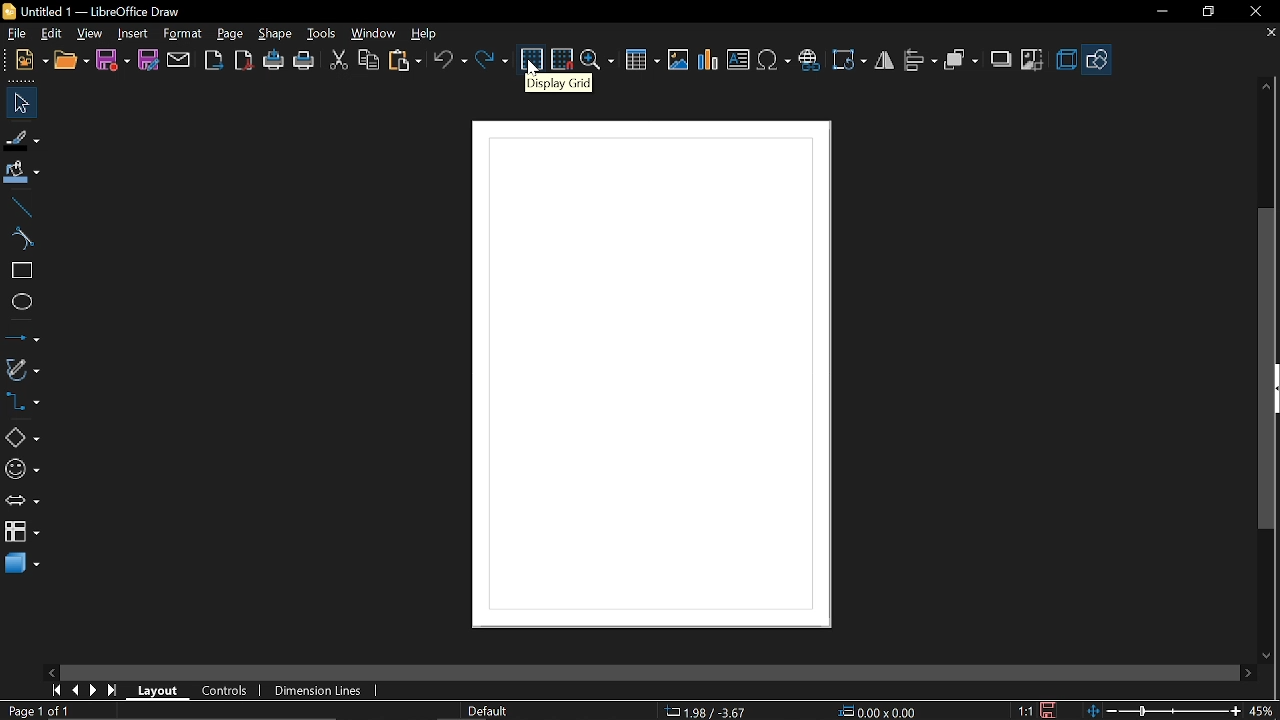 The width and height of the screenshot is (1280, 720). I want to click on Change zoom, so click(1163, 711).